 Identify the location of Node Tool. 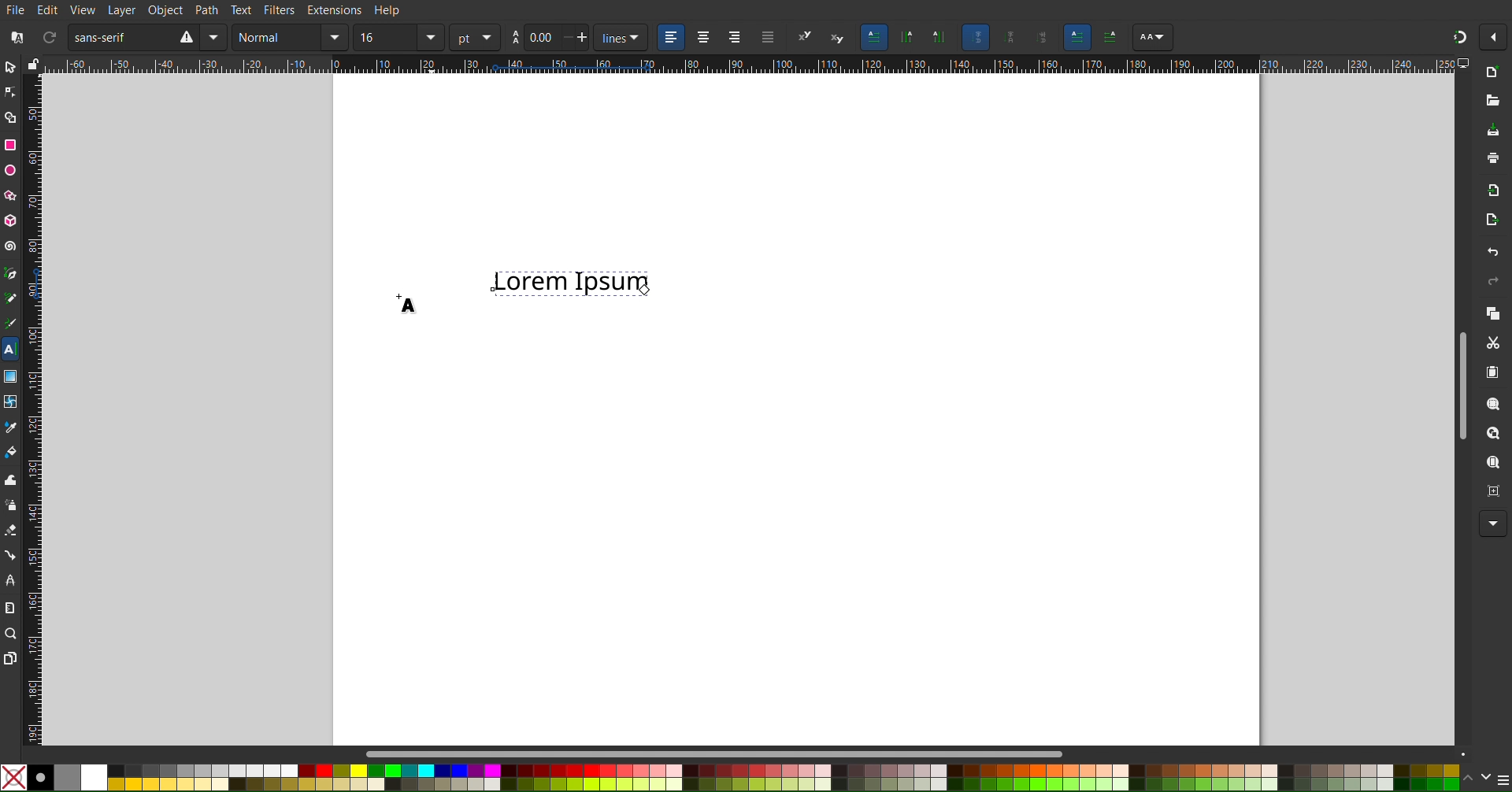
(11, 93).